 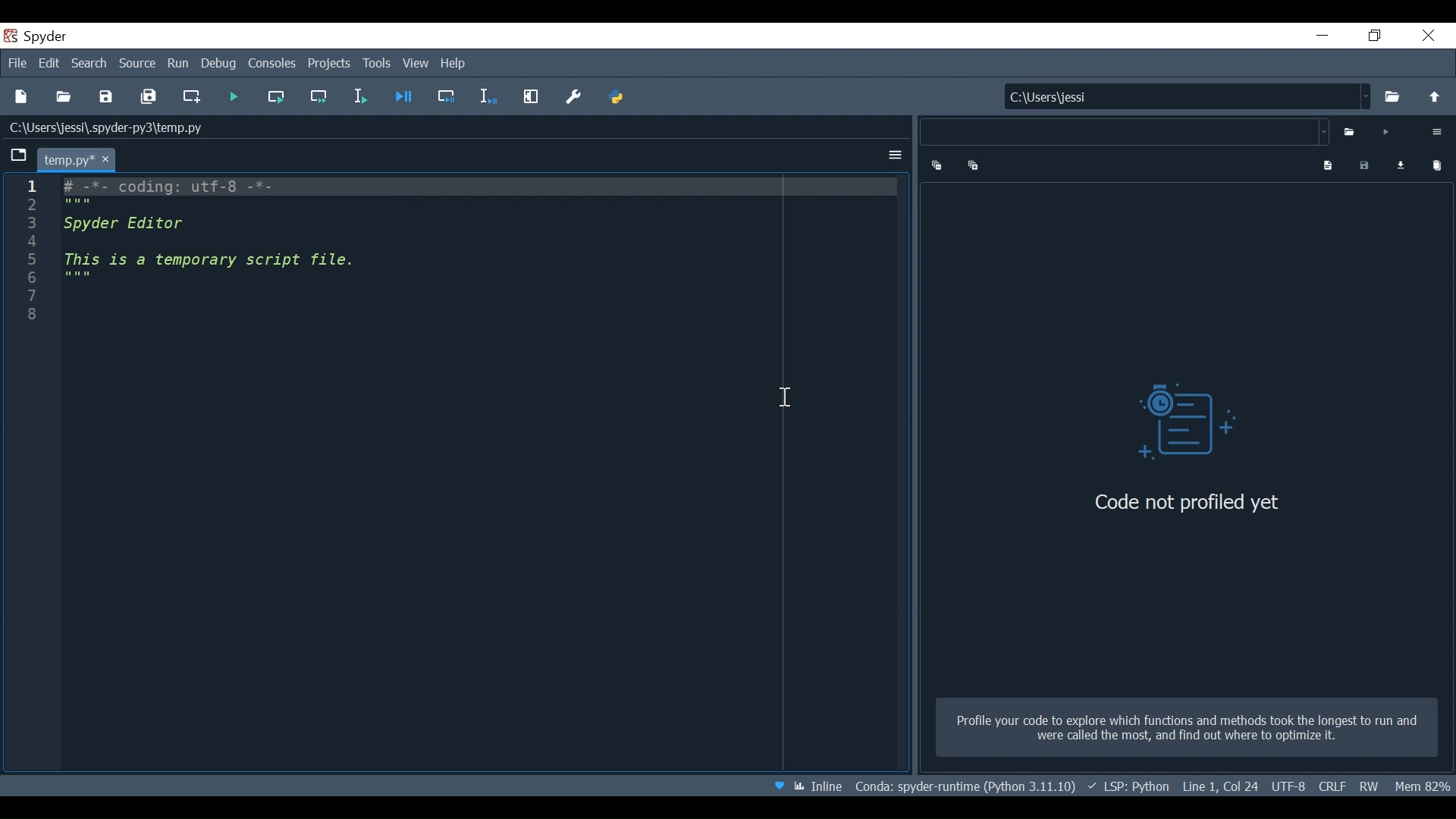 I want to click on Memory Usage, so click(x=1422, y=783).